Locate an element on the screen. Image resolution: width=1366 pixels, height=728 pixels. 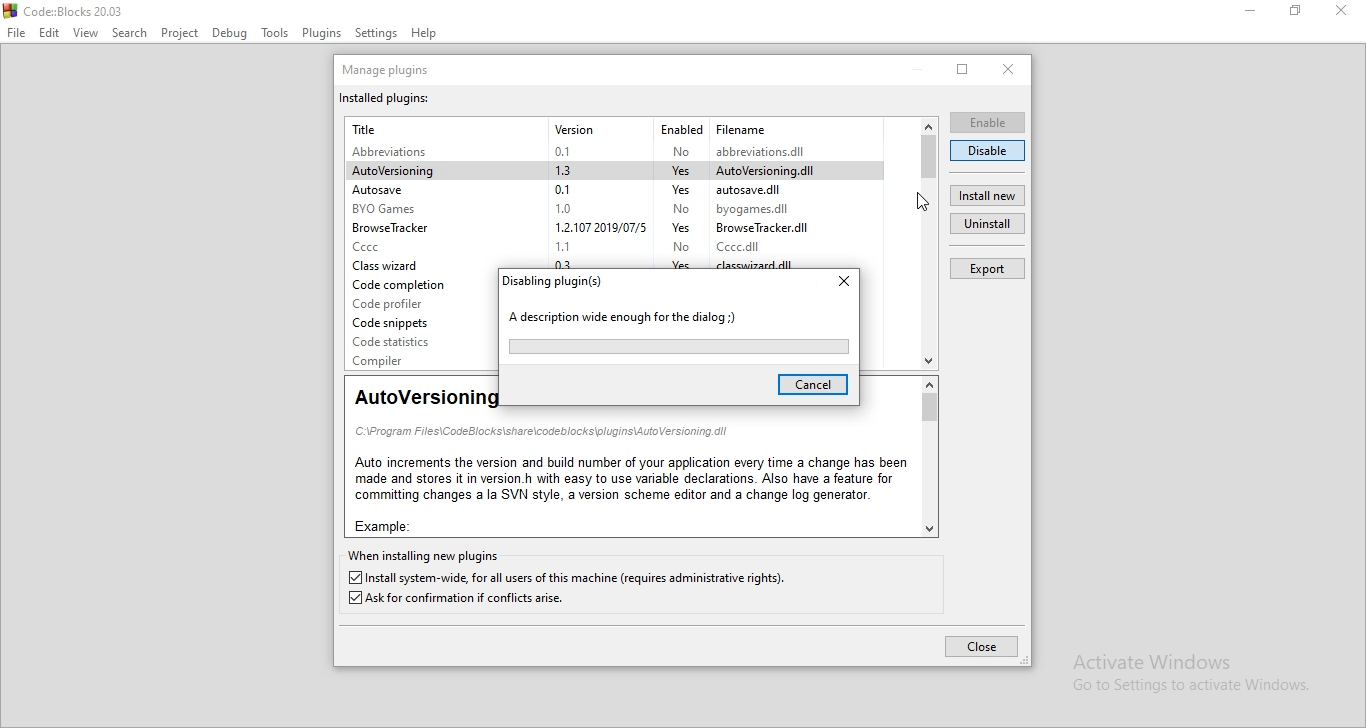
disabling plugin(s) is located at coordinates (556, 281).